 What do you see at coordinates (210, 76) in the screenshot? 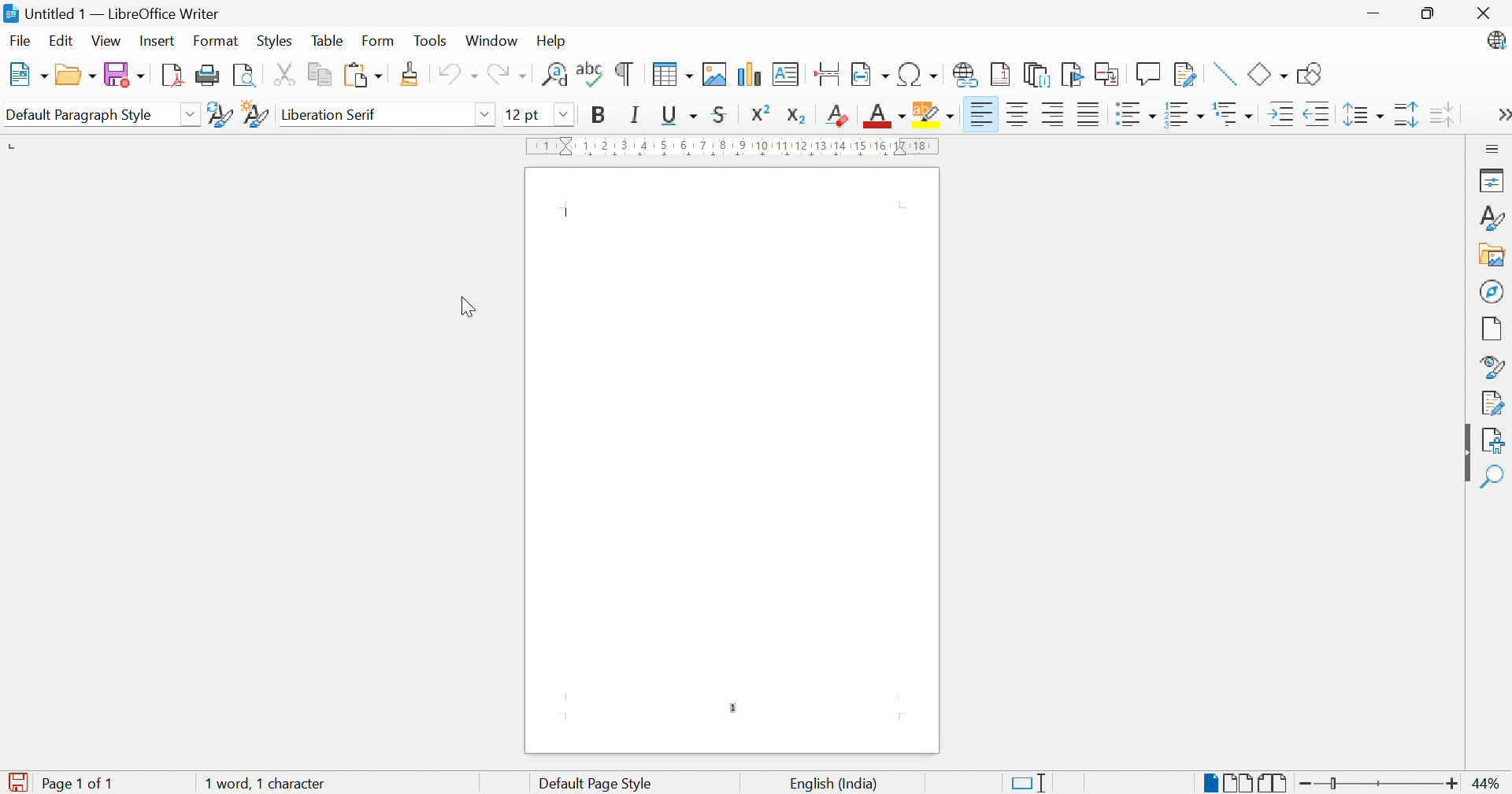
I see `Print` at bounding box center [210, 76].